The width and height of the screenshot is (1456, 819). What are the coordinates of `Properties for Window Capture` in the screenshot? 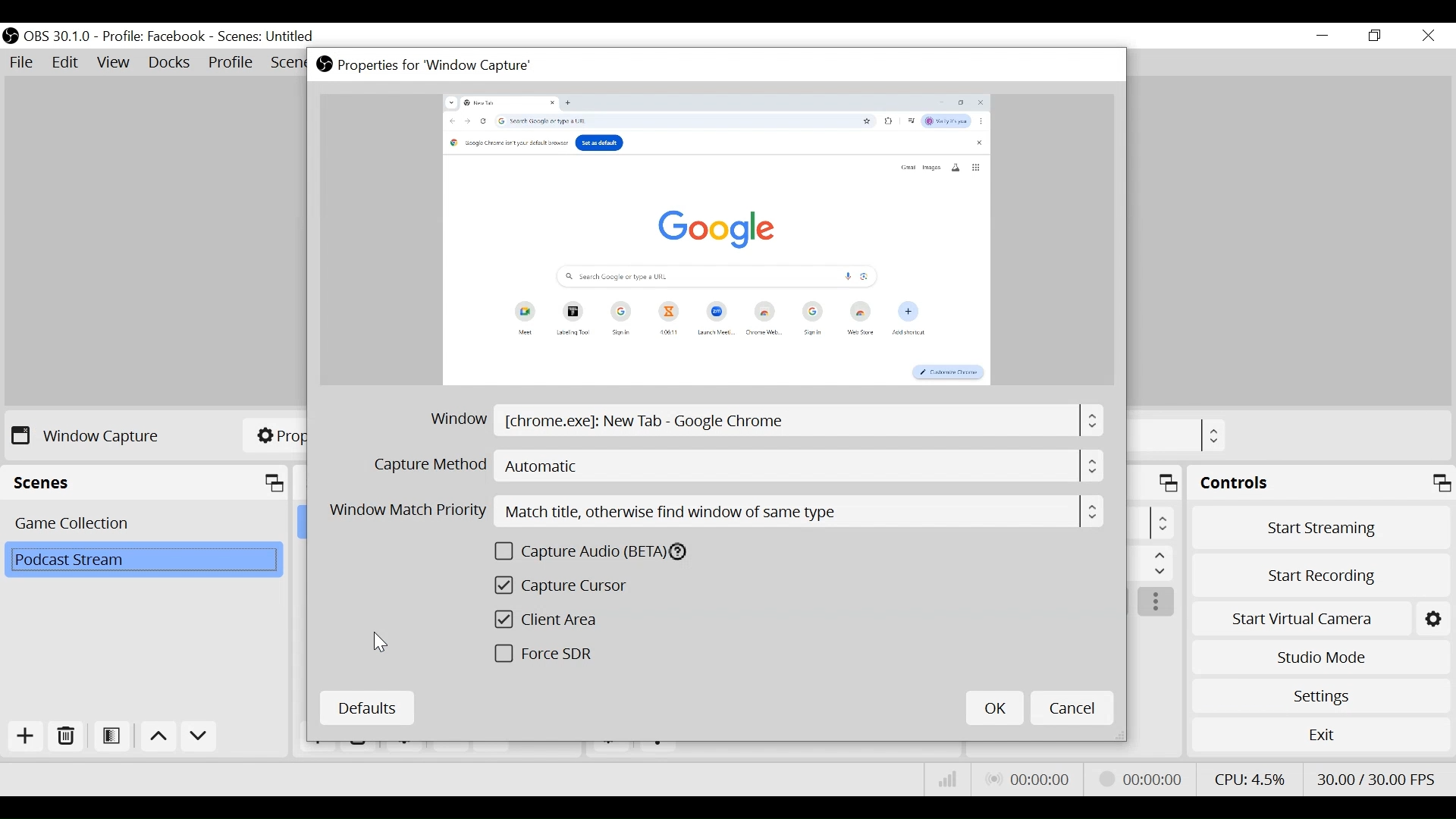 It's located at (441, 65).